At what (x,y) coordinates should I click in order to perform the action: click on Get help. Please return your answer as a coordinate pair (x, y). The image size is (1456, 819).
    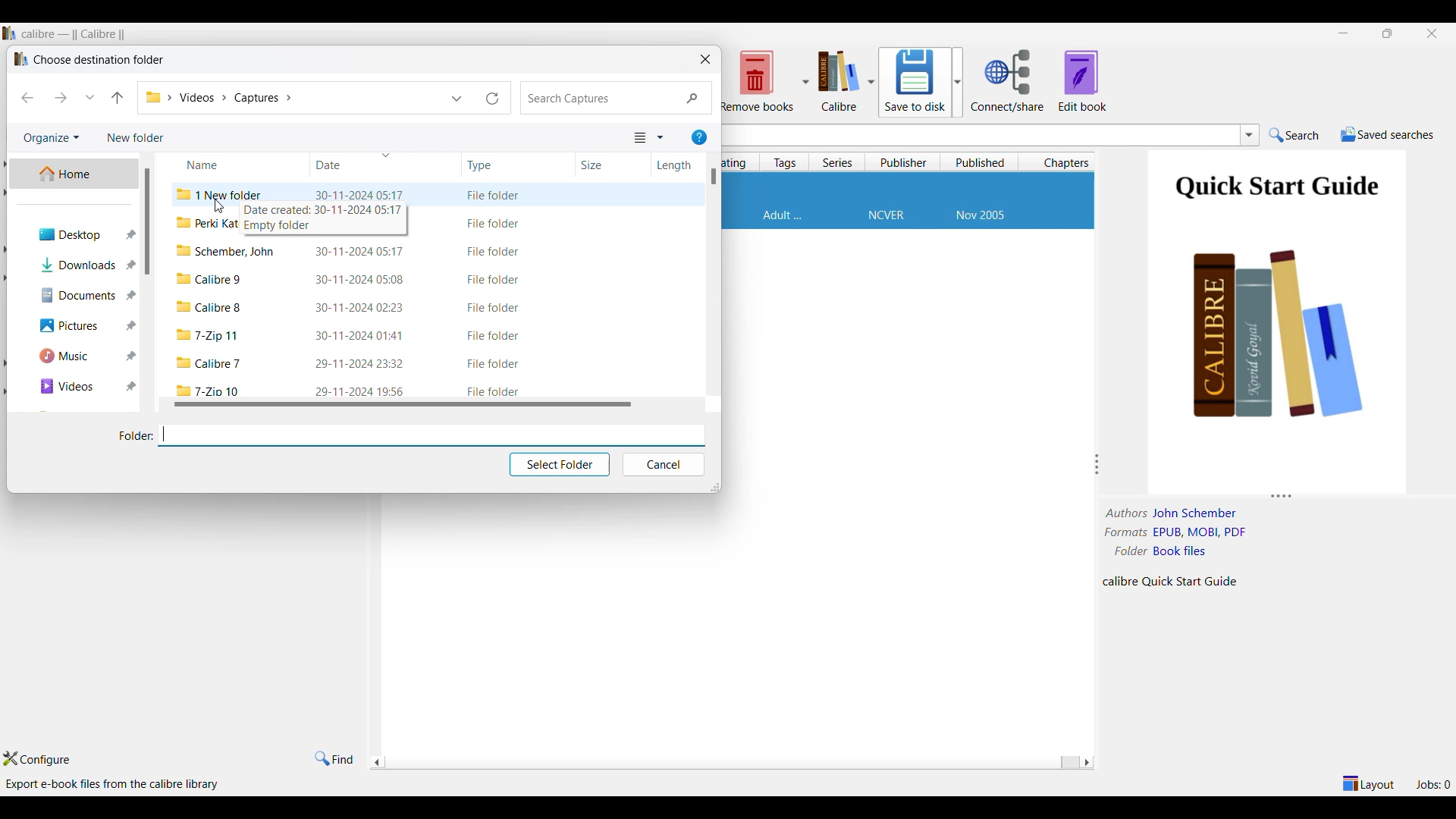
    Looking at the image, I should click on (699, 137).